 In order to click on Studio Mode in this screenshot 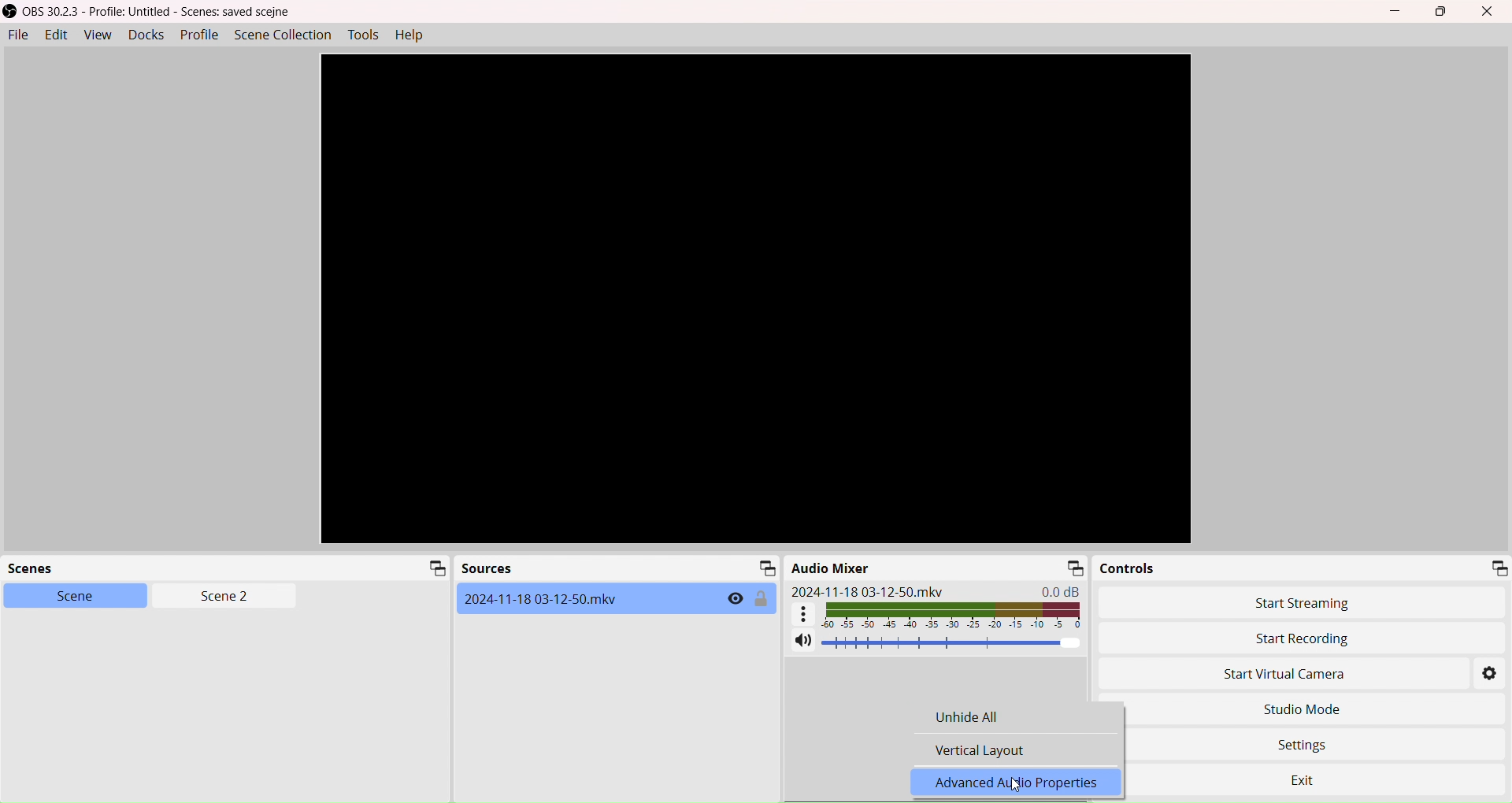, I will do `click(1301, 709)`.